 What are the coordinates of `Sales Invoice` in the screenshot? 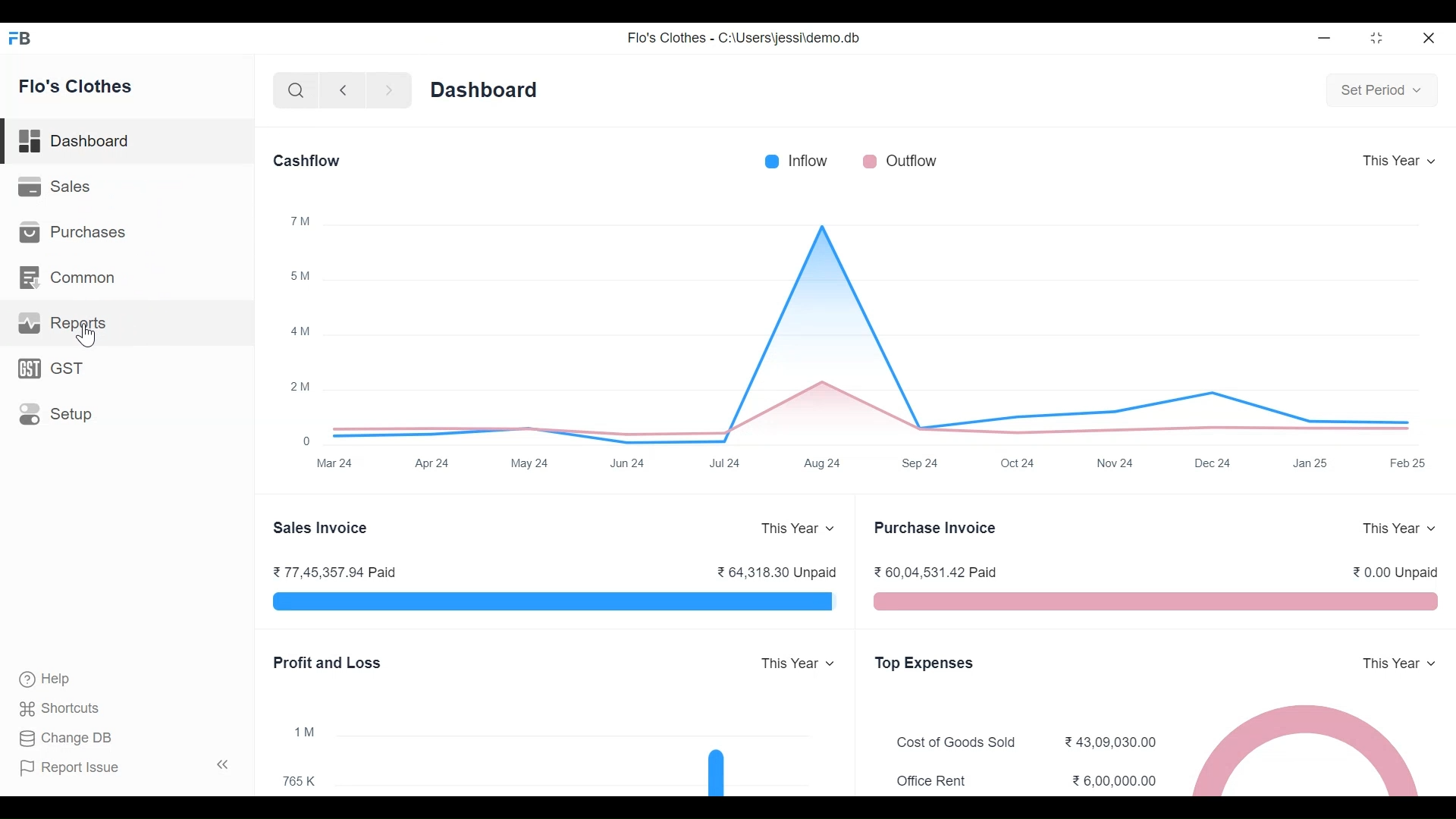 It's located at (325, 529).